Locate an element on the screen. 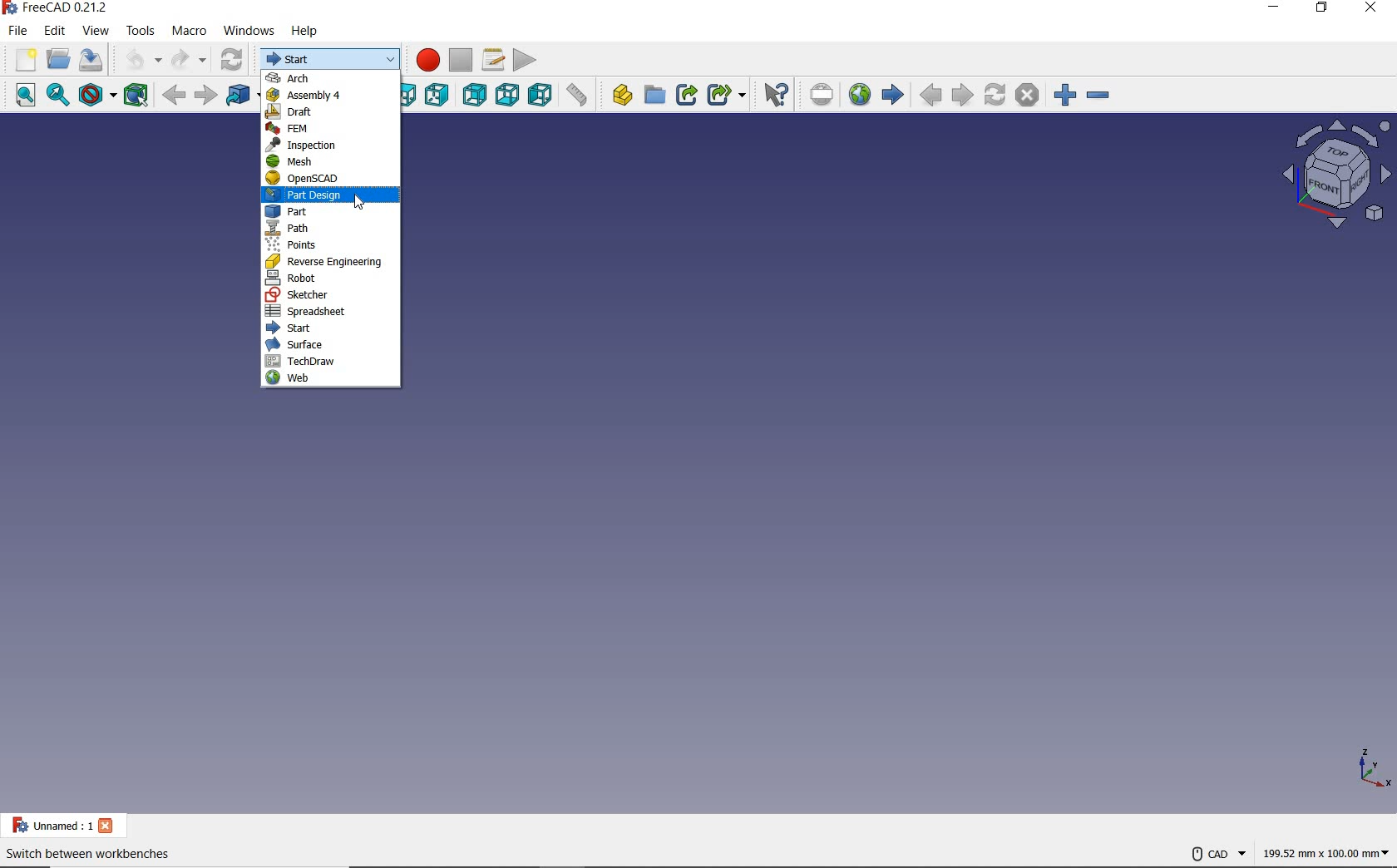  CREATE PART is located at coordinates (618, 94).